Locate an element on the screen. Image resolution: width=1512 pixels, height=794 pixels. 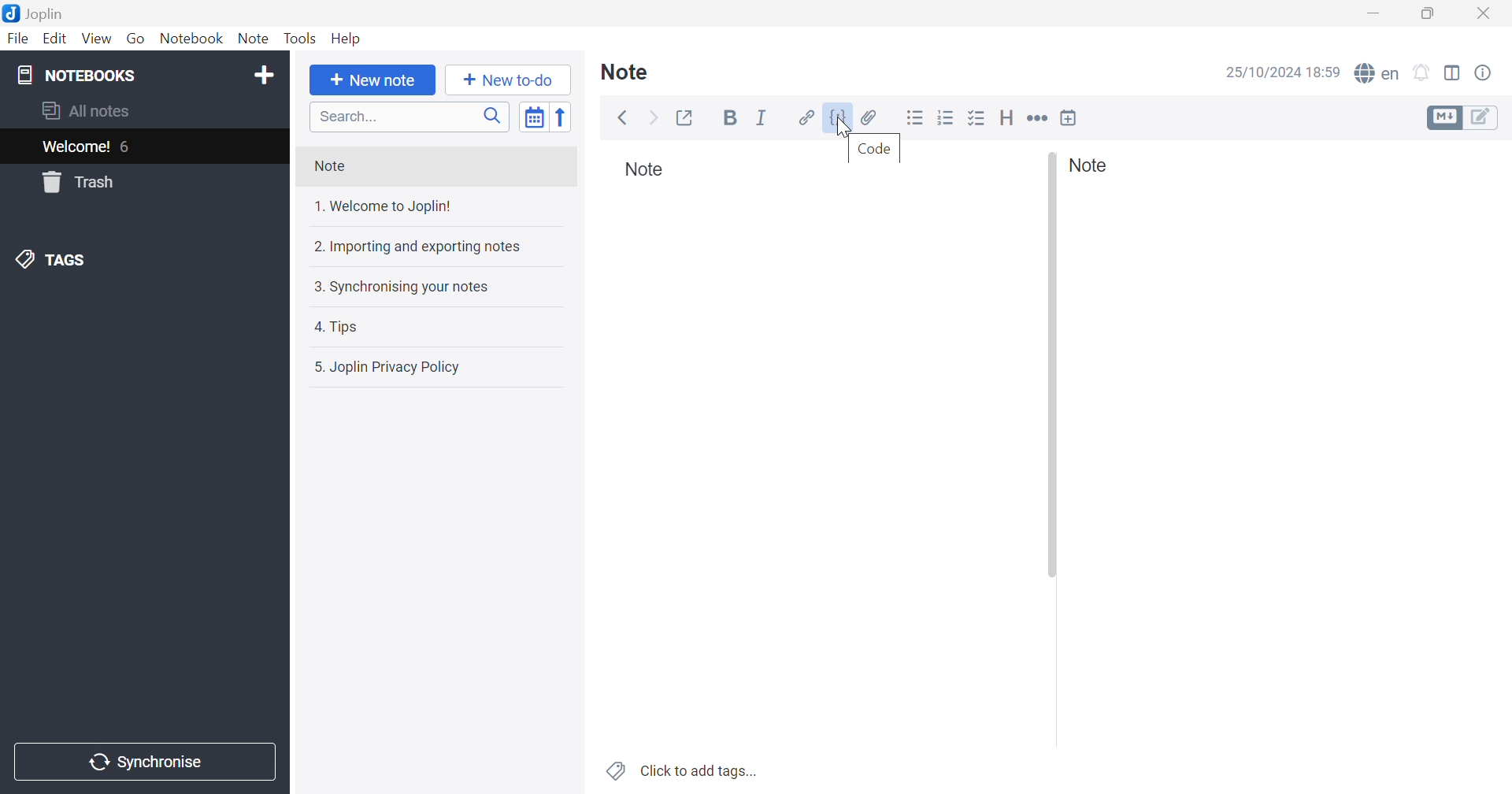
Notebooks is located at coordinates (86, 76).